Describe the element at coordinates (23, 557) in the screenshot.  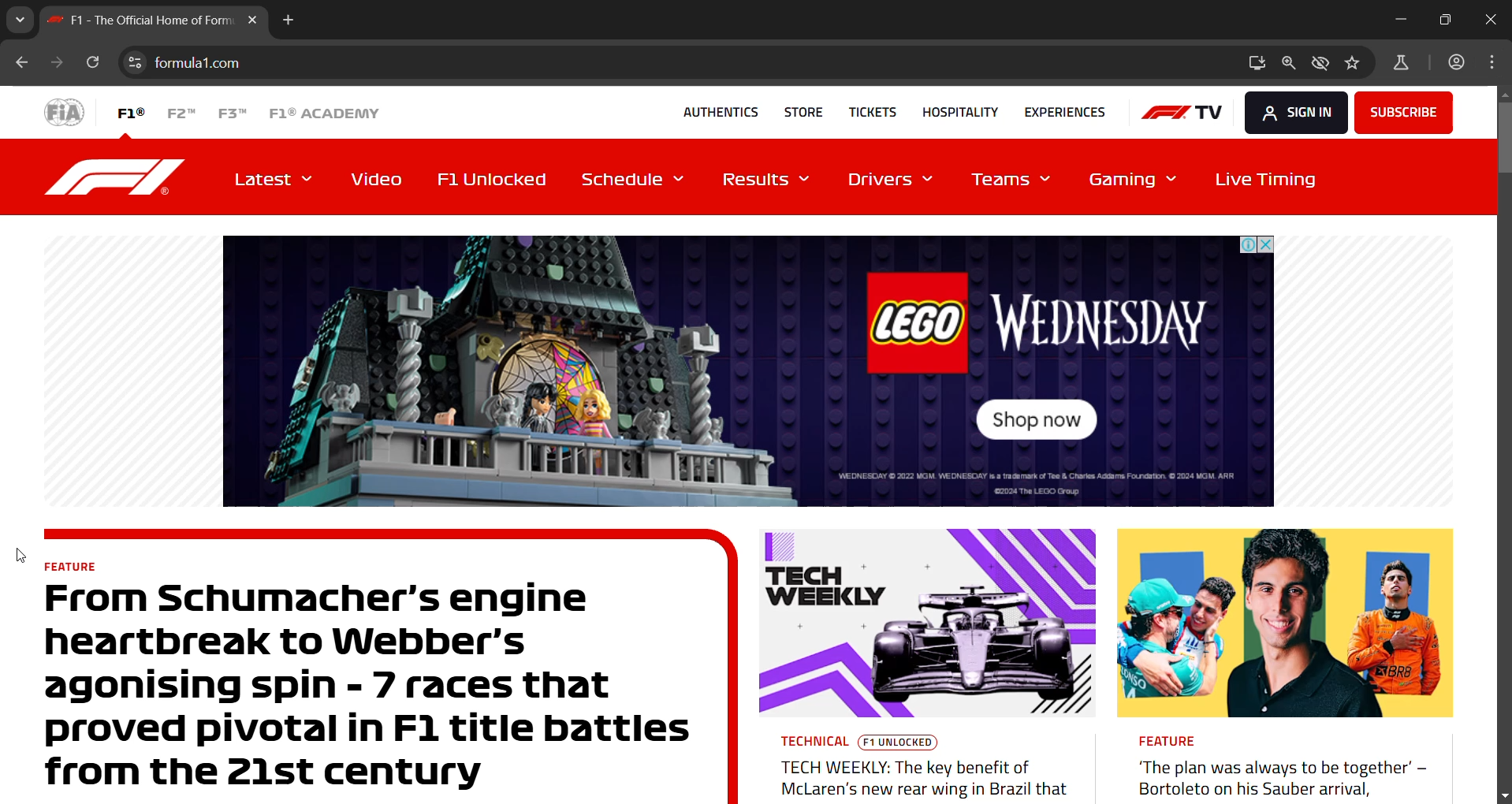
I see `cursor` at that location.